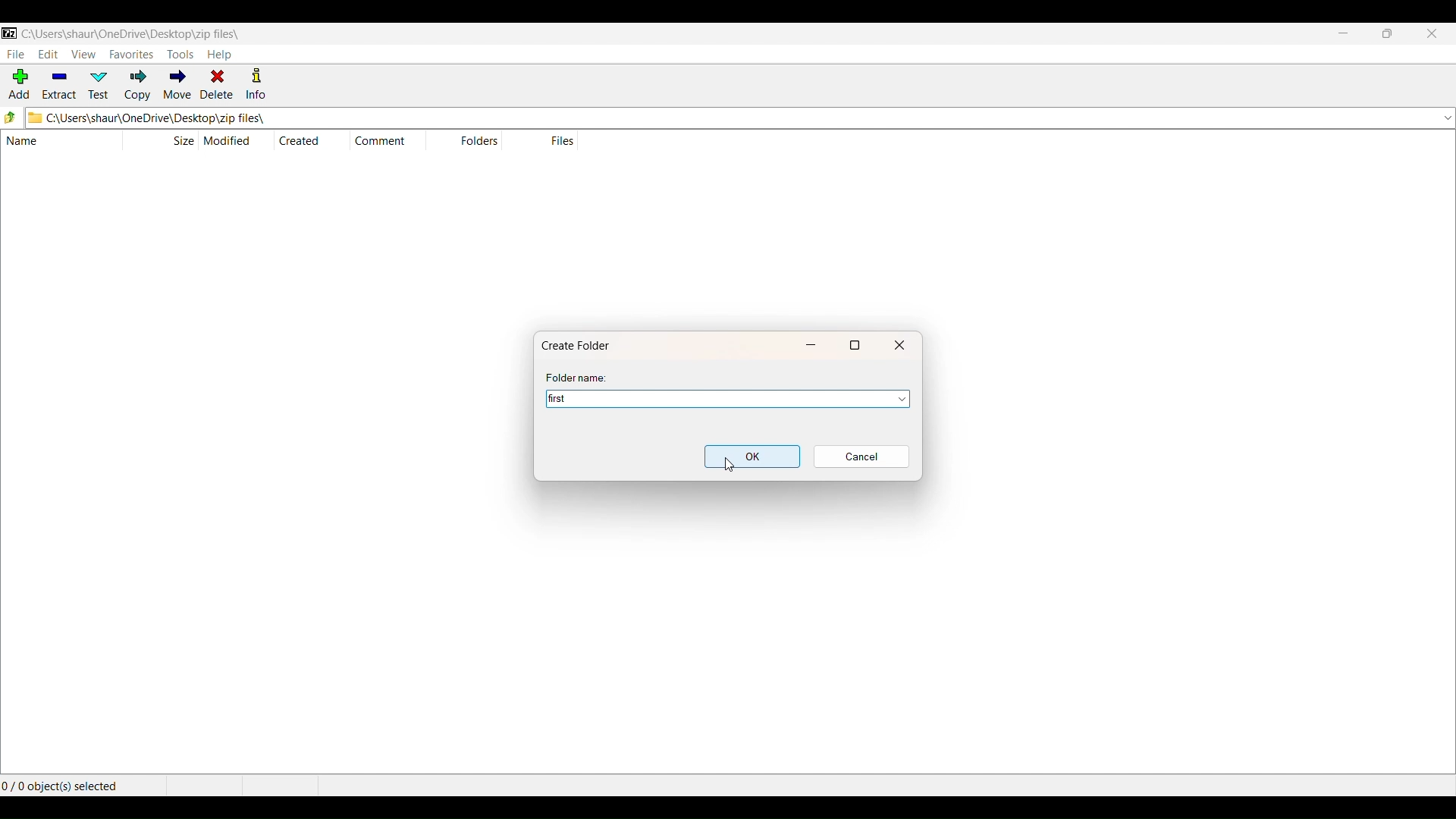  I want to click on NUMBER OF OBJECT SELECTED, so click(80, 783).